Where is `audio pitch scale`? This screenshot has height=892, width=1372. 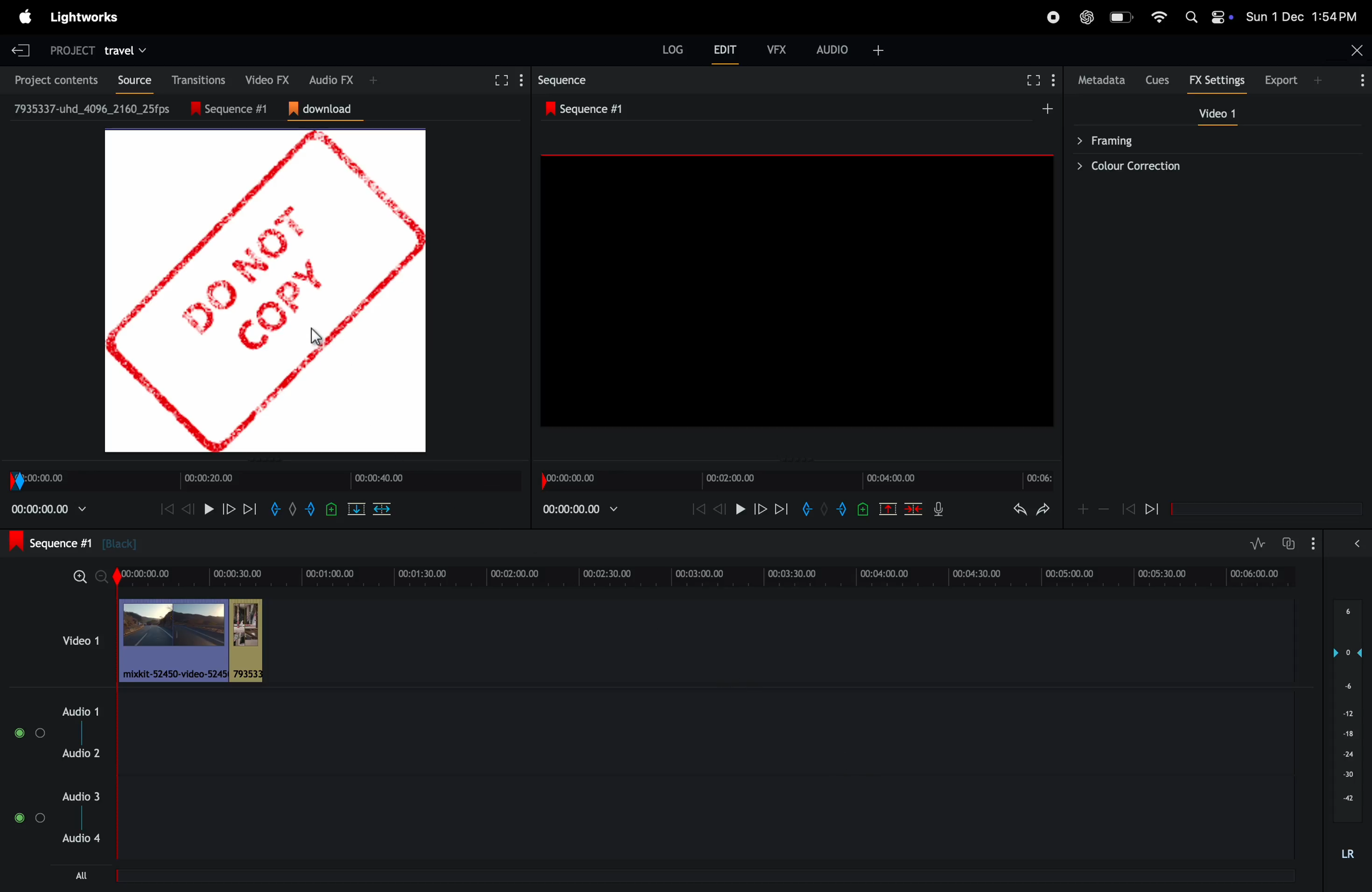 audio pitch scale is located at coordinates (1347, 711).